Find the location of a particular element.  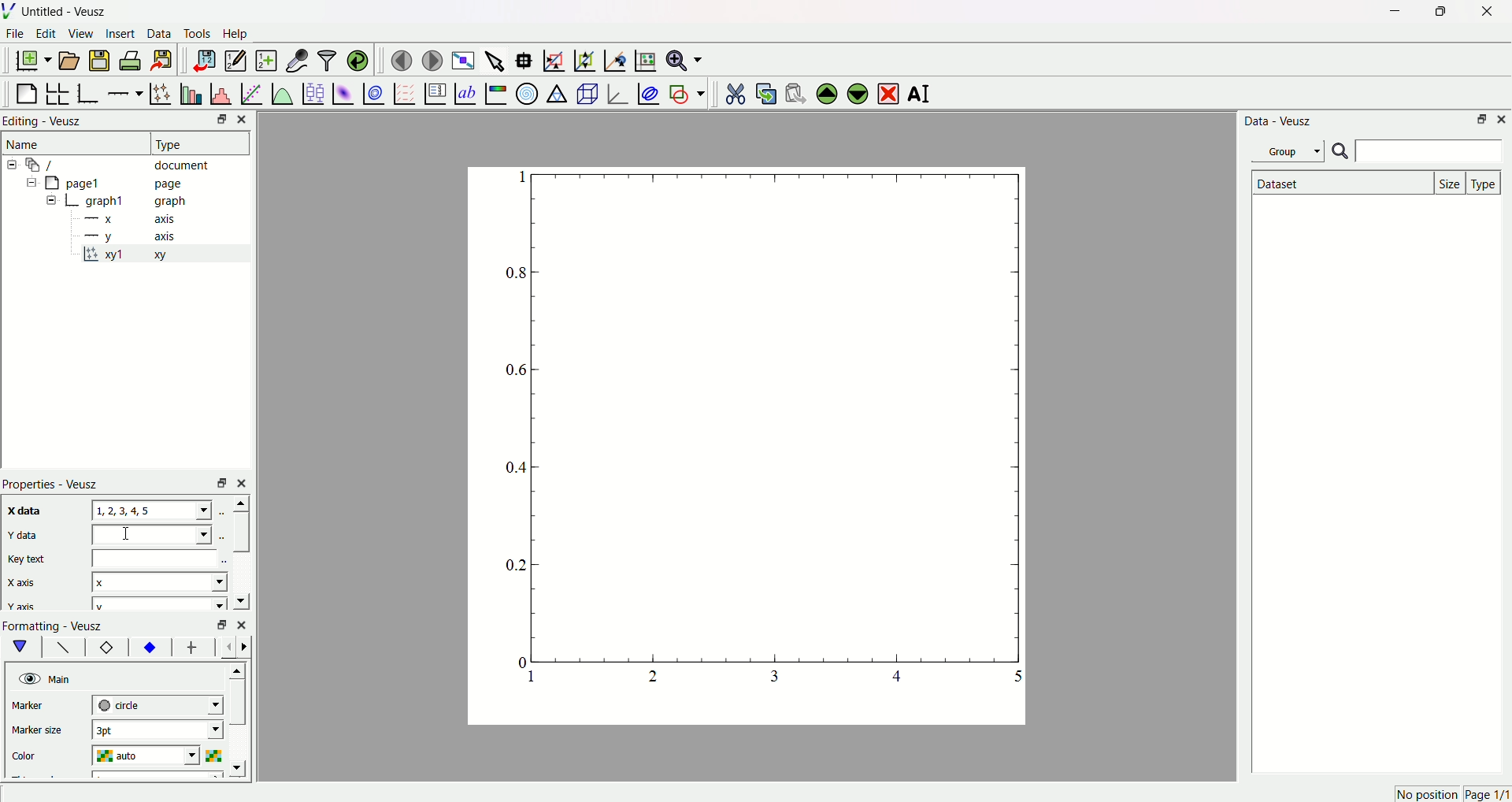

Untitled - Veusz is located at coordinates (67, 13).